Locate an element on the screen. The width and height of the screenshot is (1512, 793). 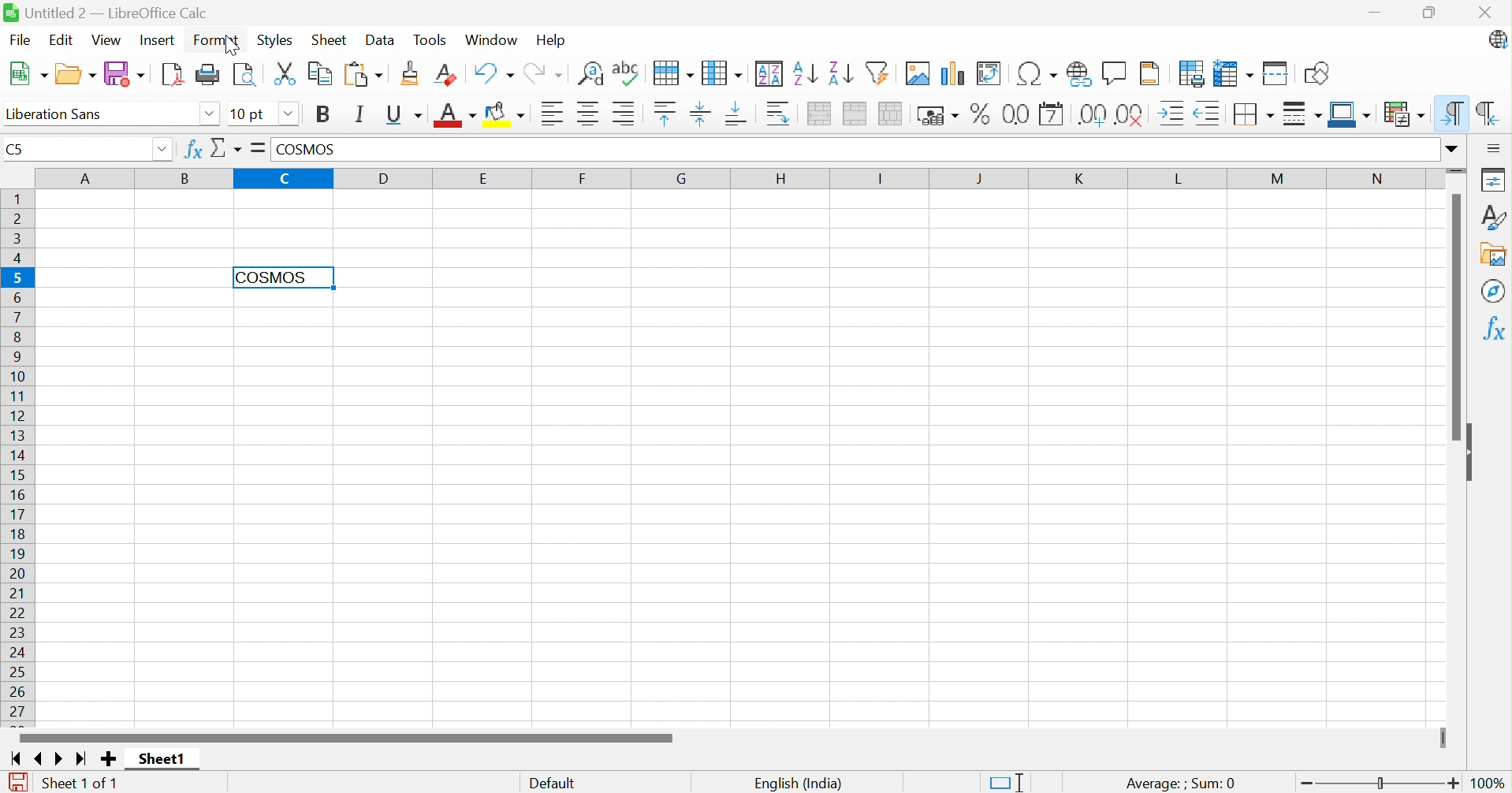
AutoFilter is located at coordinates (882, 72).